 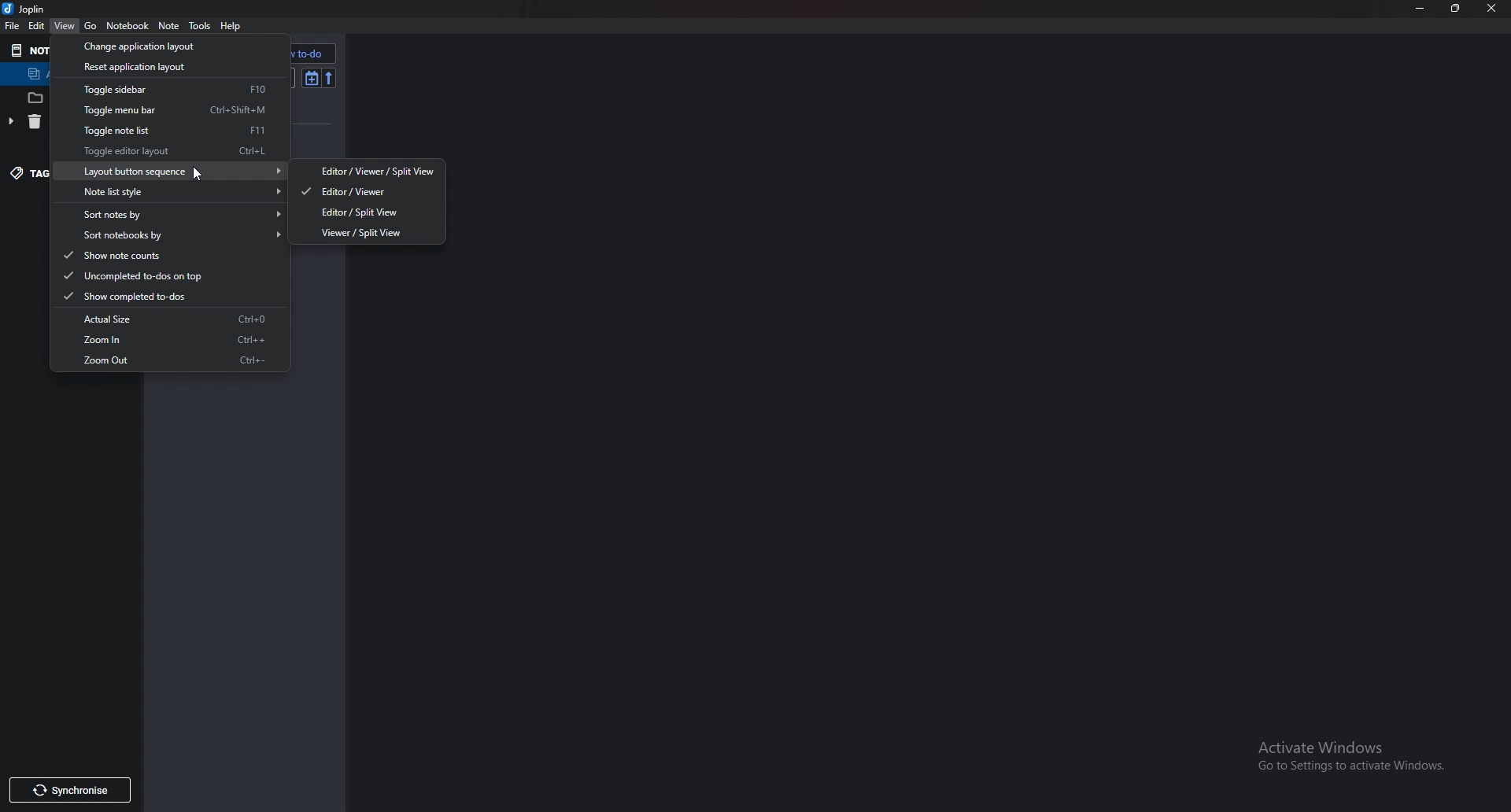 I want to click on Minimize, so click(x=1423, y=8).